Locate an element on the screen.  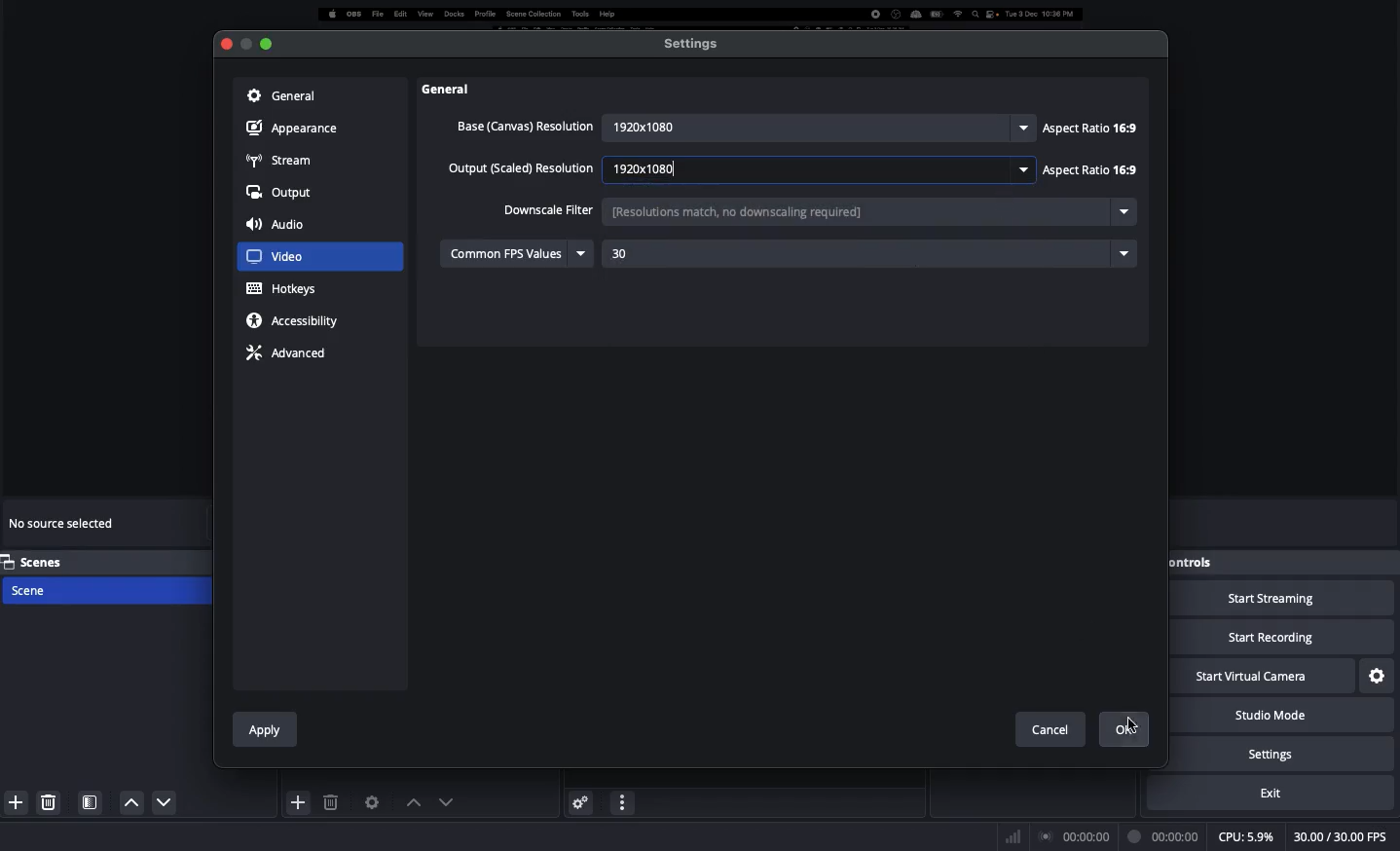
Move up is located at coordinates (410, 802).